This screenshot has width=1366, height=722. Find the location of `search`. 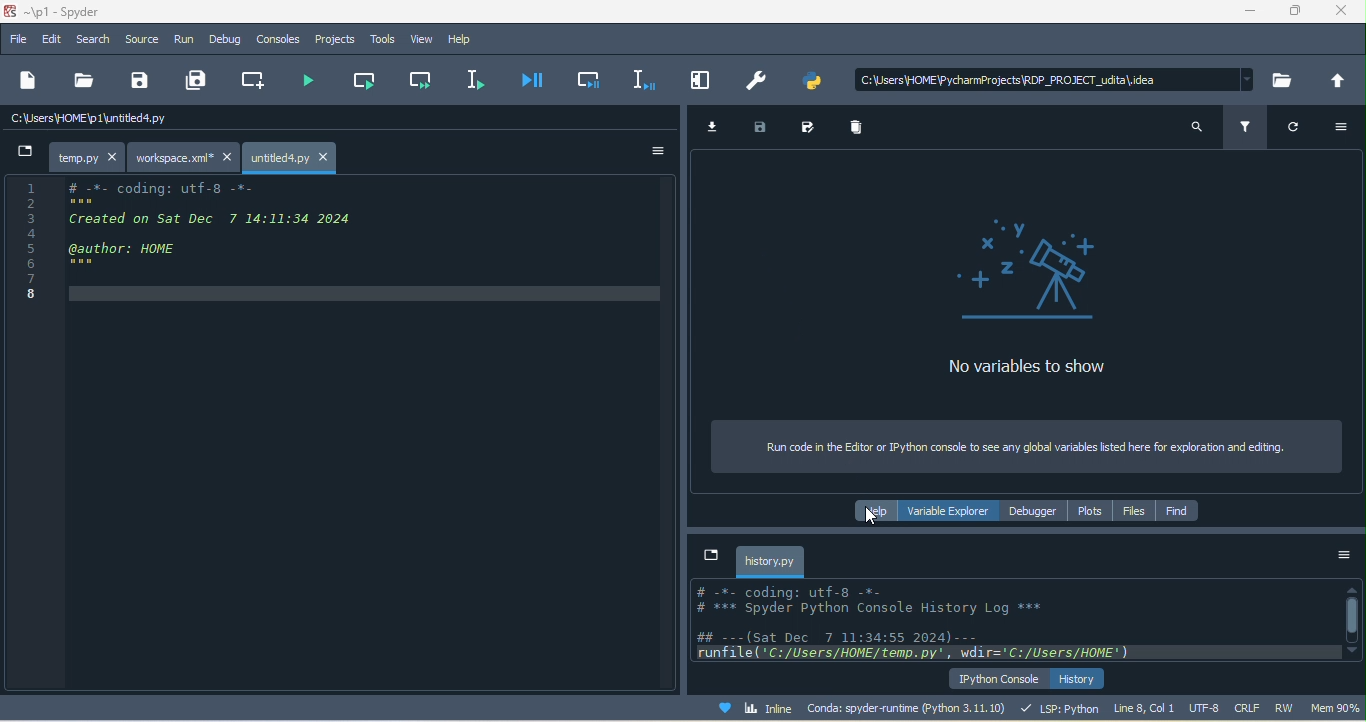

search is located at coordinates (101, 41).